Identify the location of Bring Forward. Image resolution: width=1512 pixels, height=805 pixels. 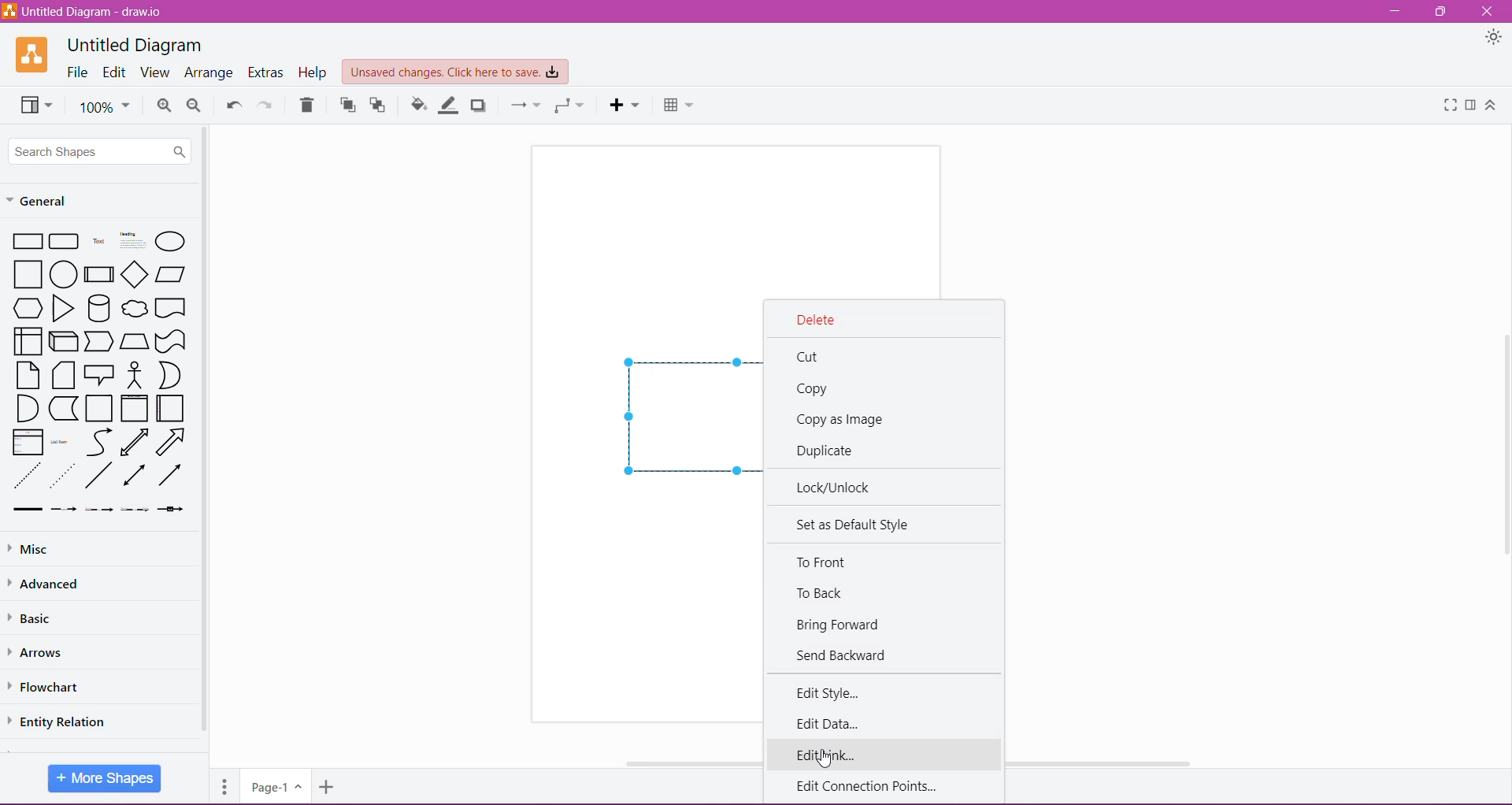
(839, 625).